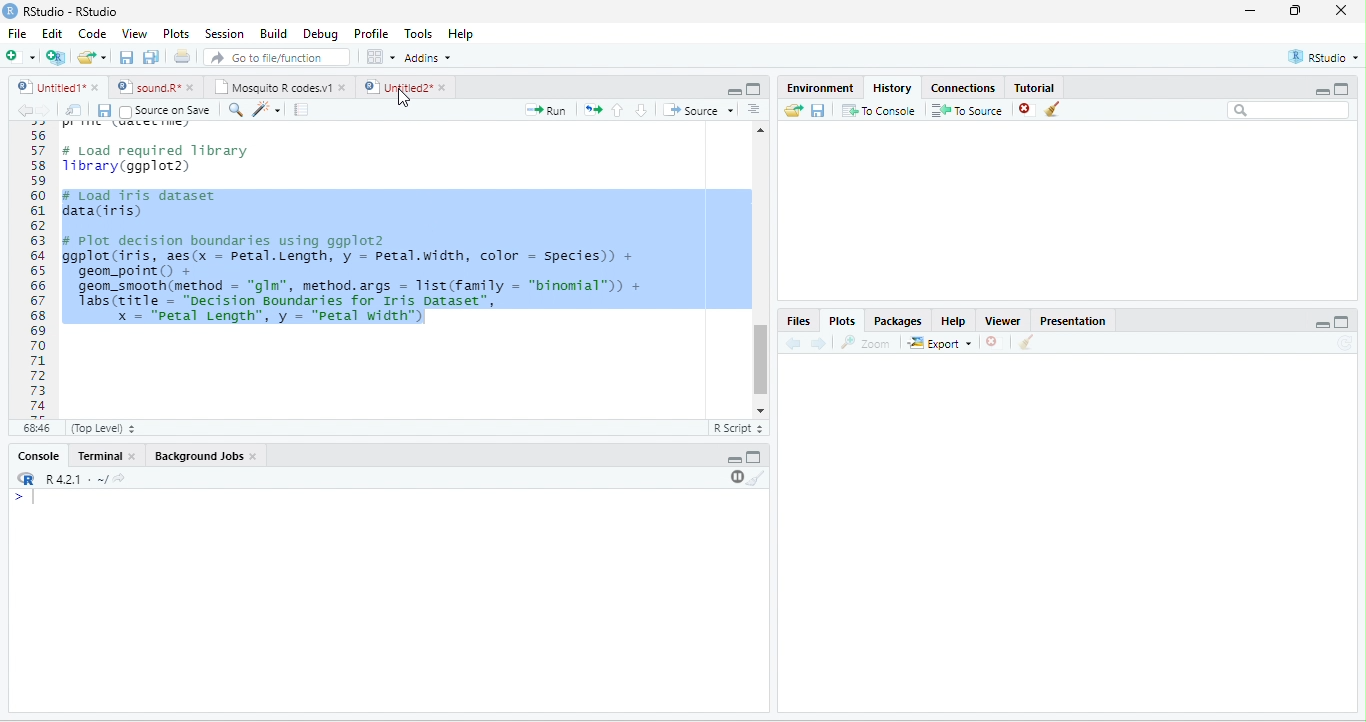 This screenshot has height=722, width=1366. What do you see at coordinates (97, 87) in the screenshot?
I see `close` at bounding box center [97, 87].